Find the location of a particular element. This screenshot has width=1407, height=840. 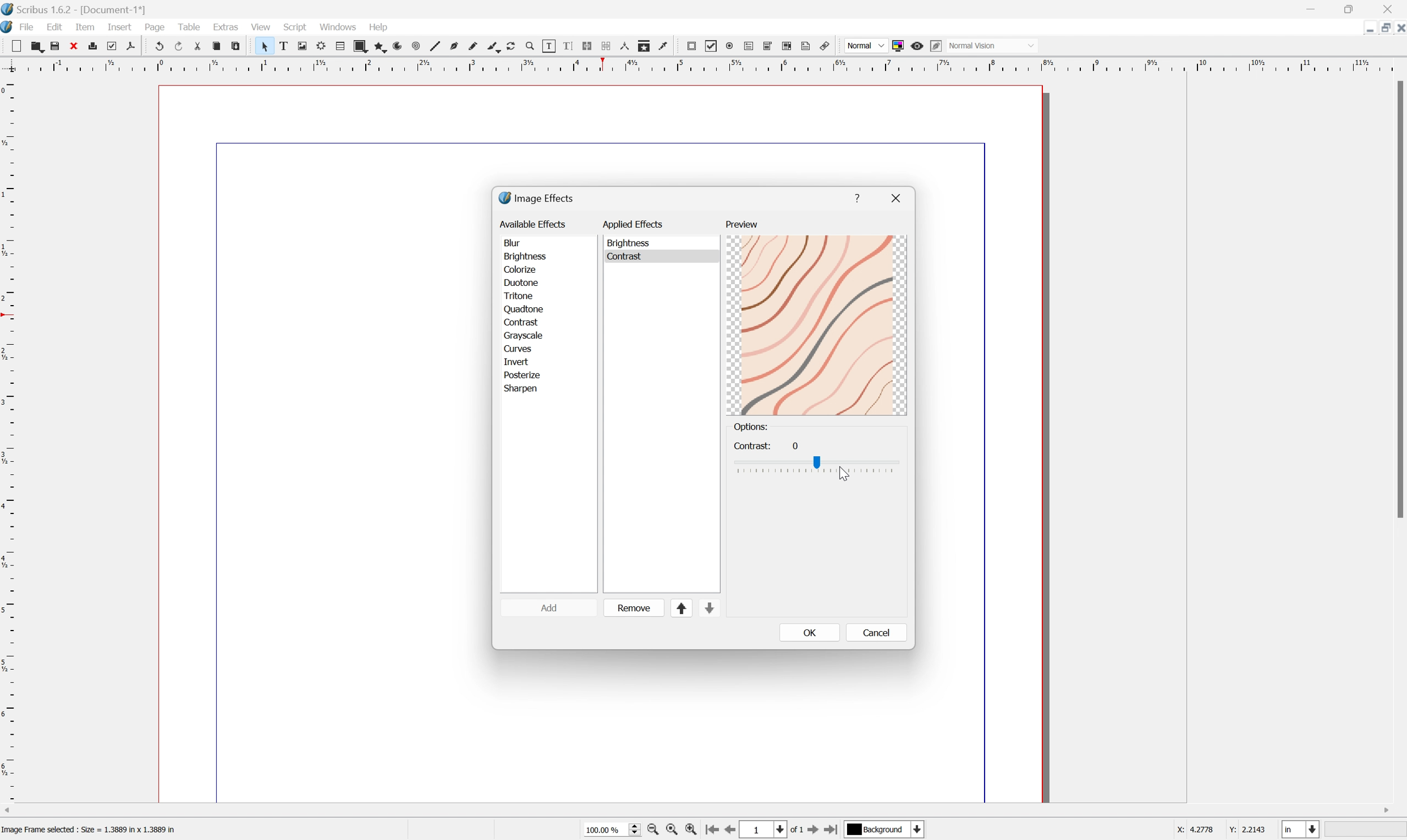

Cut is located at coordinates (197, 45).